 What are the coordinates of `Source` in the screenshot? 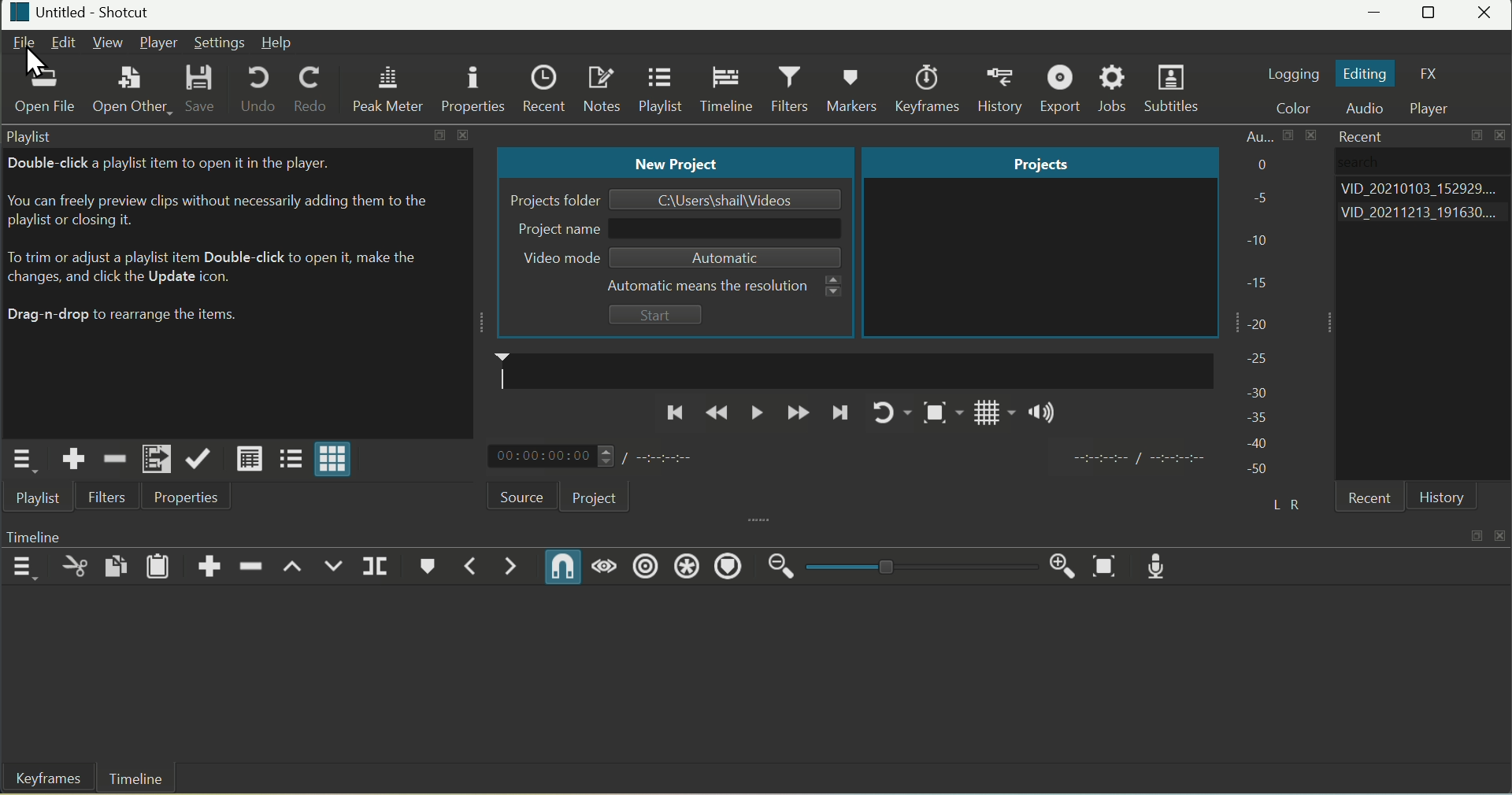 It's located at (510, 496).